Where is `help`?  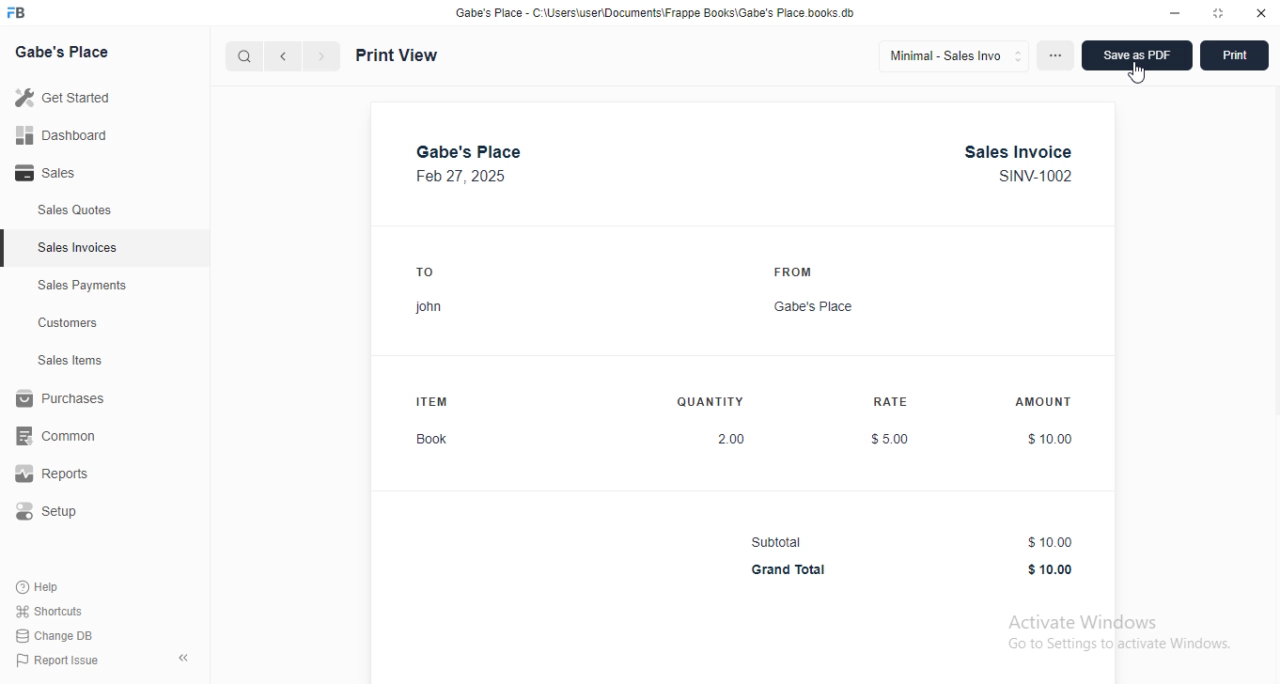 help is located at coordinates (39, 587).